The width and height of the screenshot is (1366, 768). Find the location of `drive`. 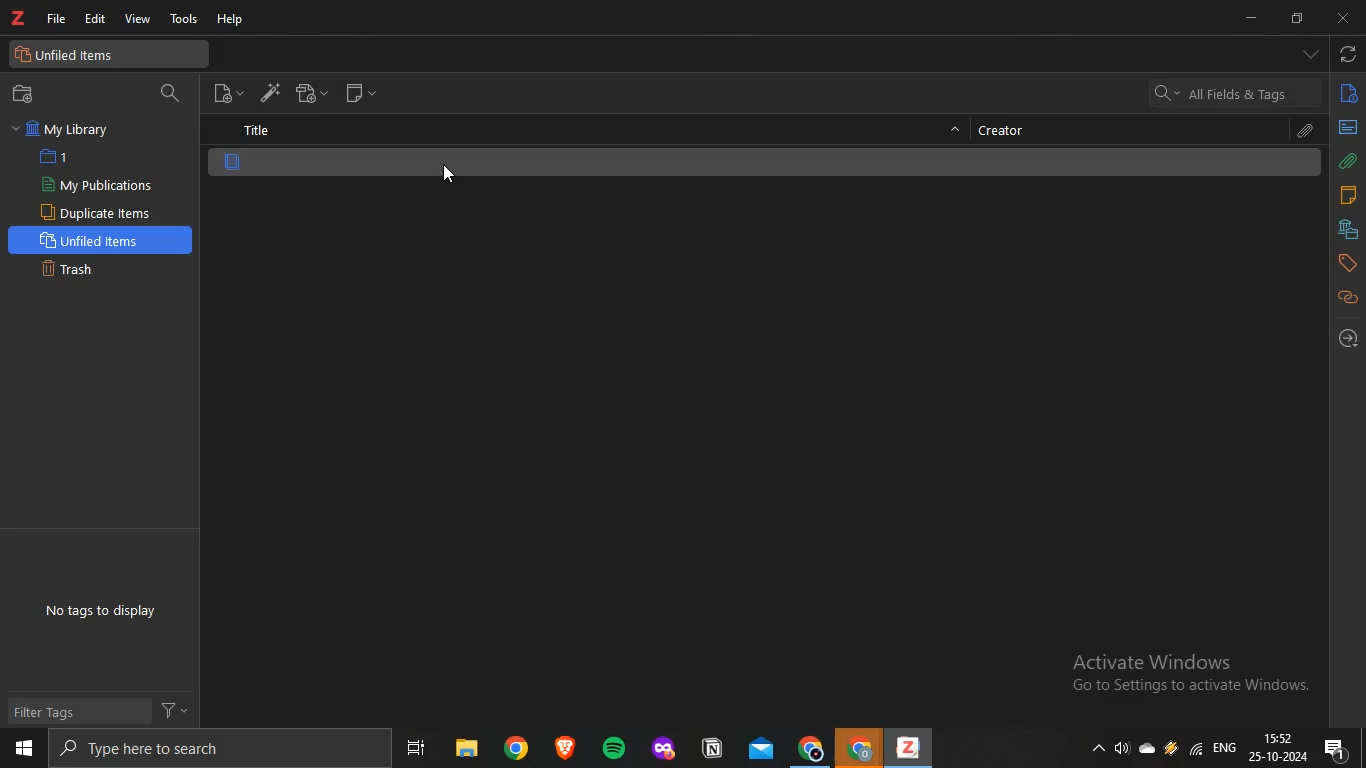

drive is located at coordinates (1171, 747).